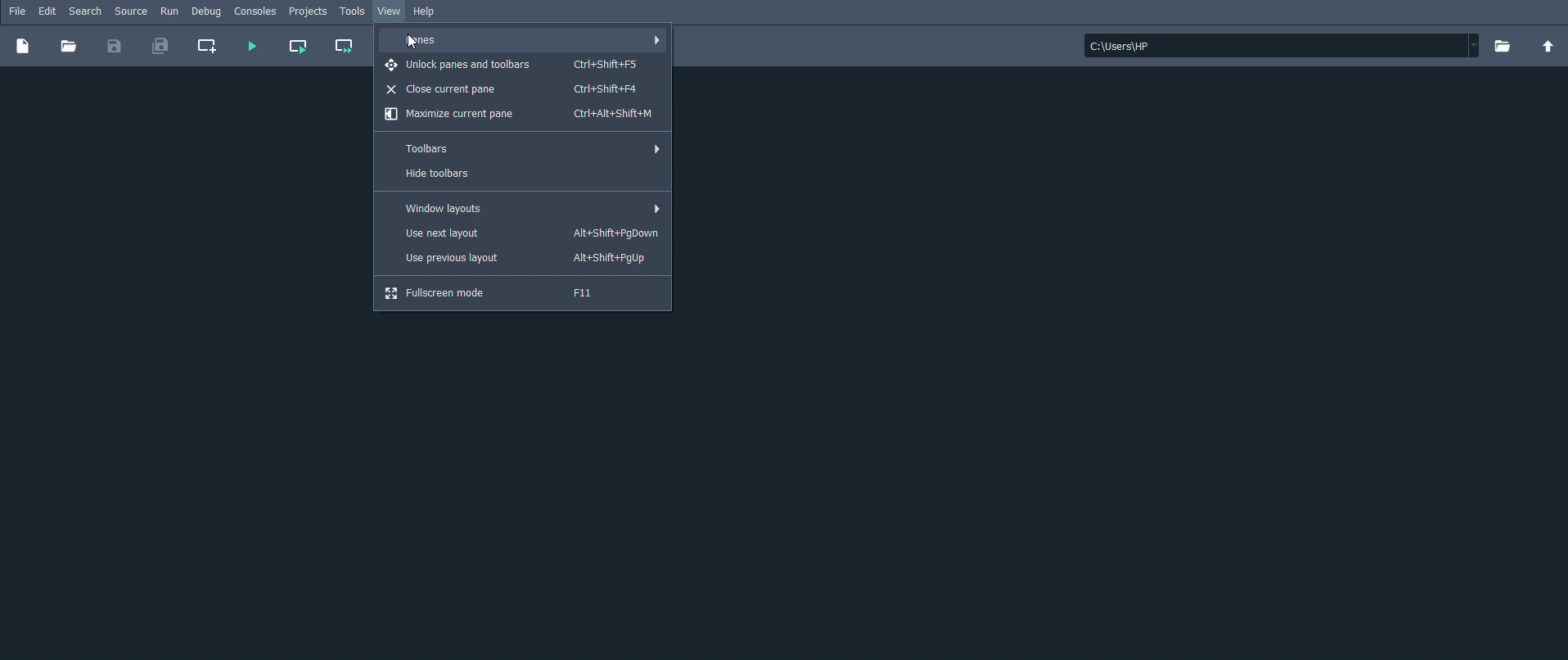 This screenshot has width=1568, height=660. What do you see at coordinates (1282, 45) in the screenshot?
I see `File location` at bounding box center [1282, 45].